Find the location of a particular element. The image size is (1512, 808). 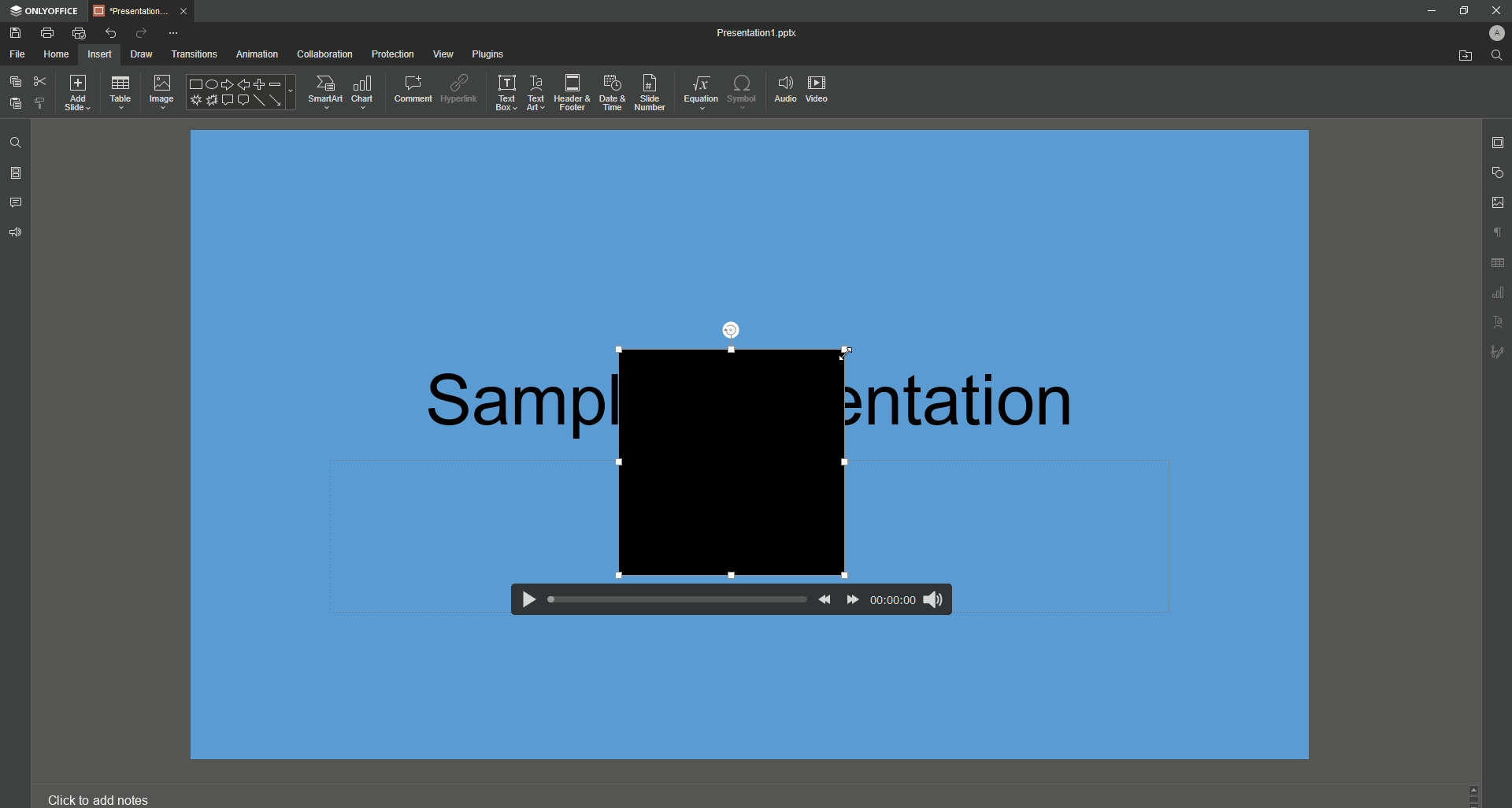

Video is located at coordinates (819, 89).